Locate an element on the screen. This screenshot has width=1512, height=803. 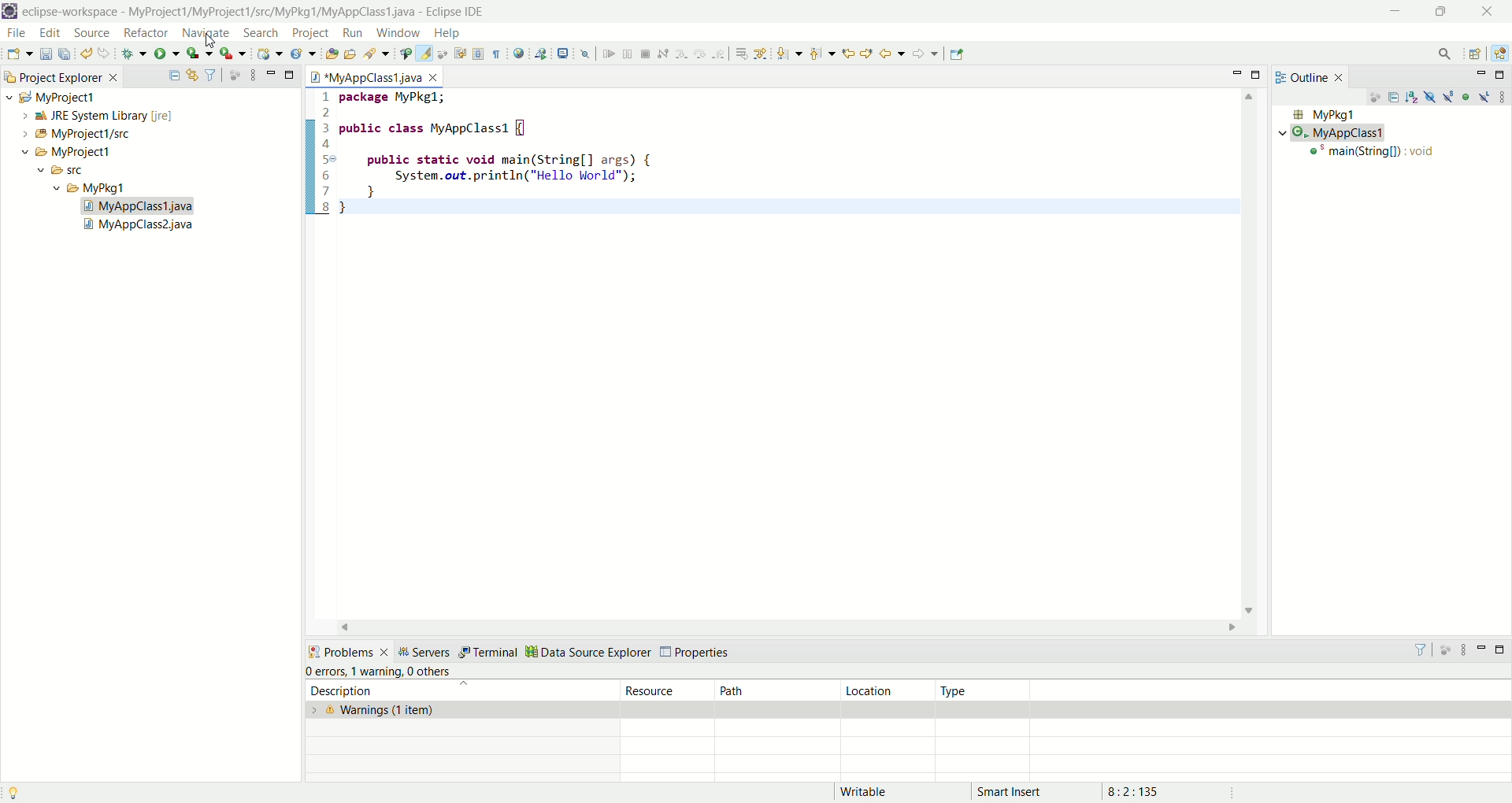
open a terminal is located at coordinates (563, 54).